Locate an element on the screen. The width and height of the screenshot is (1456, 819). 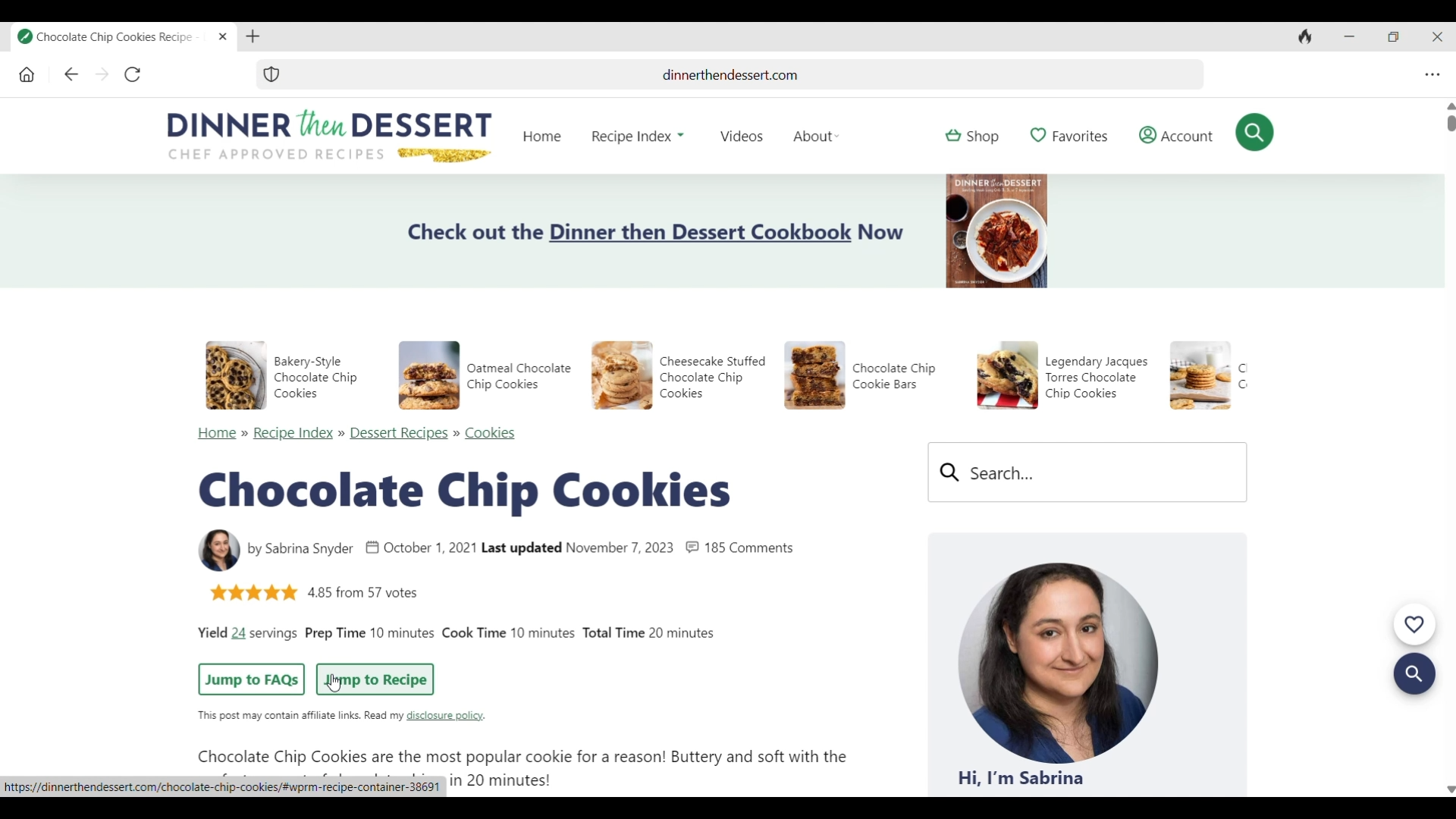
Browser settings is located at coordinates (1429, 76).